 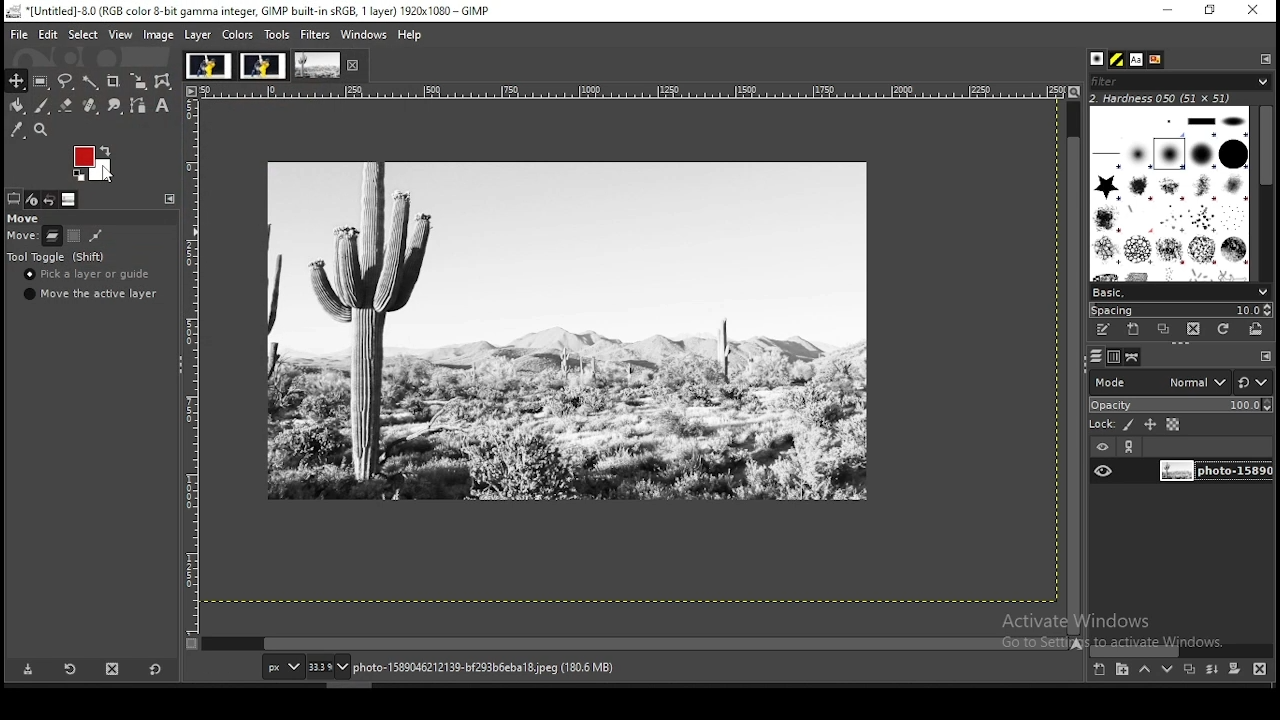 I want to click on reset to defaults, so click(x=154, y=669).